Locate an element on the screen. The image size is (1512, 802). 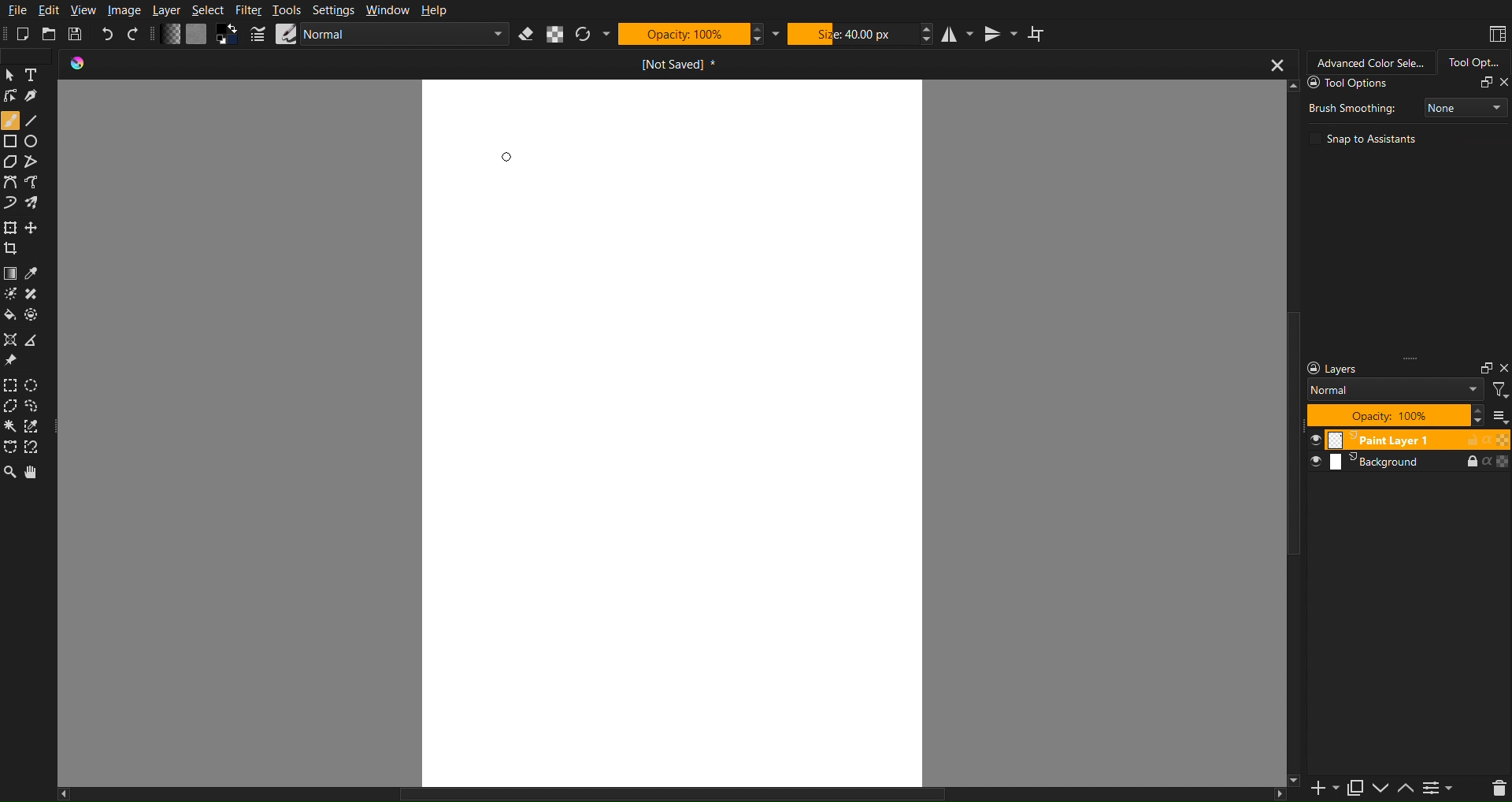
All Layers is located at coordinates (1499, 414).